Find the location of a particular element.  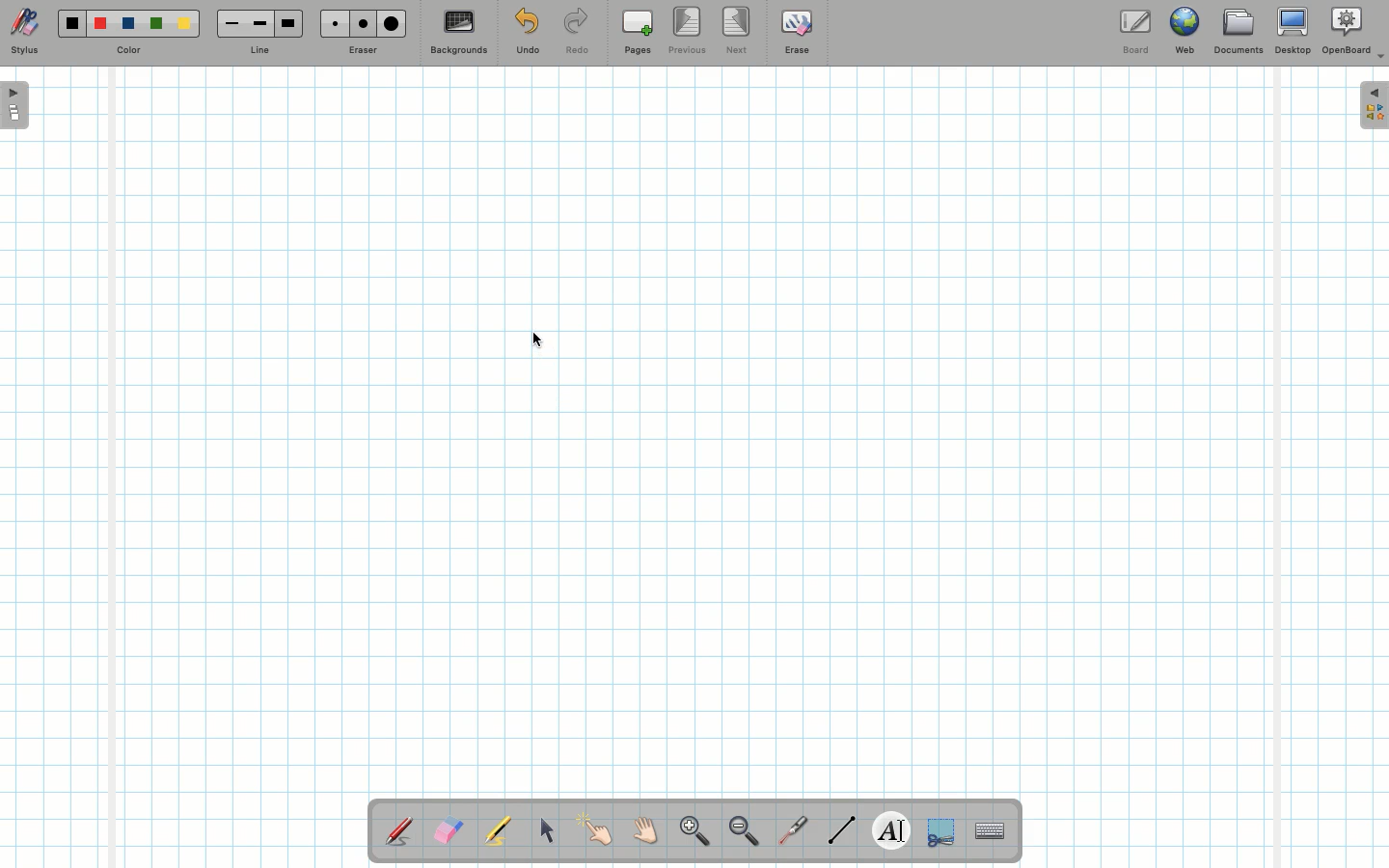

Desktop is located at coordinates (1295, 31).